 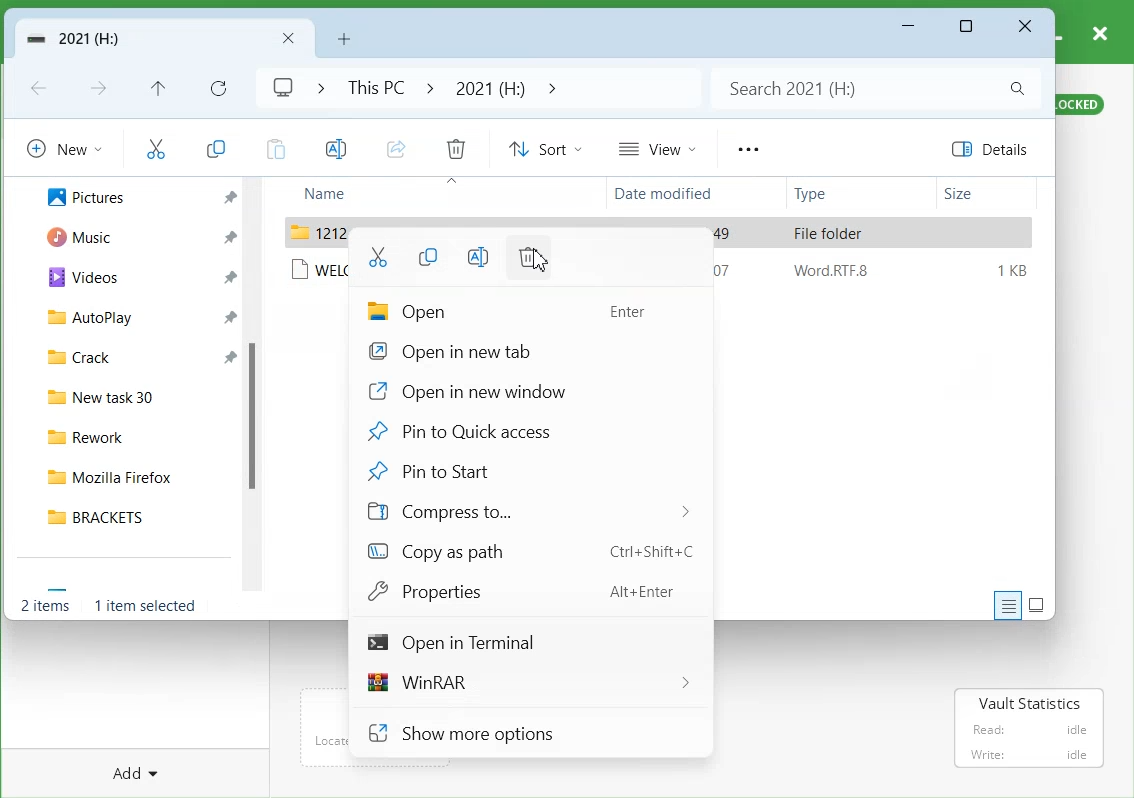 What do you see at coordinates (968, 27) in the screenshot?
I see `Maximize` at bounding box center [968, 27].